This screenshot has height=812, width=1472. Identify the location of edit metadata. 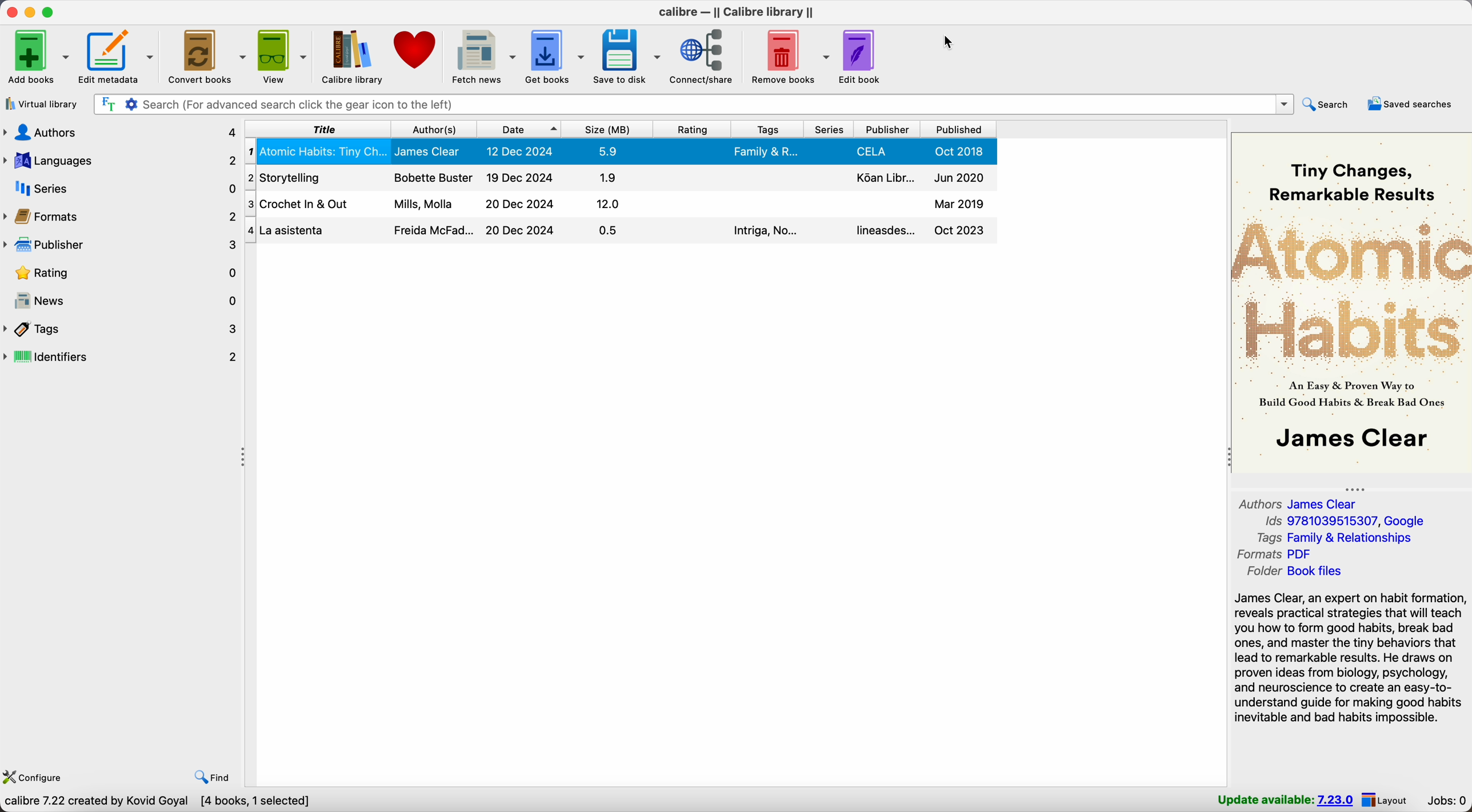
(121, 58).